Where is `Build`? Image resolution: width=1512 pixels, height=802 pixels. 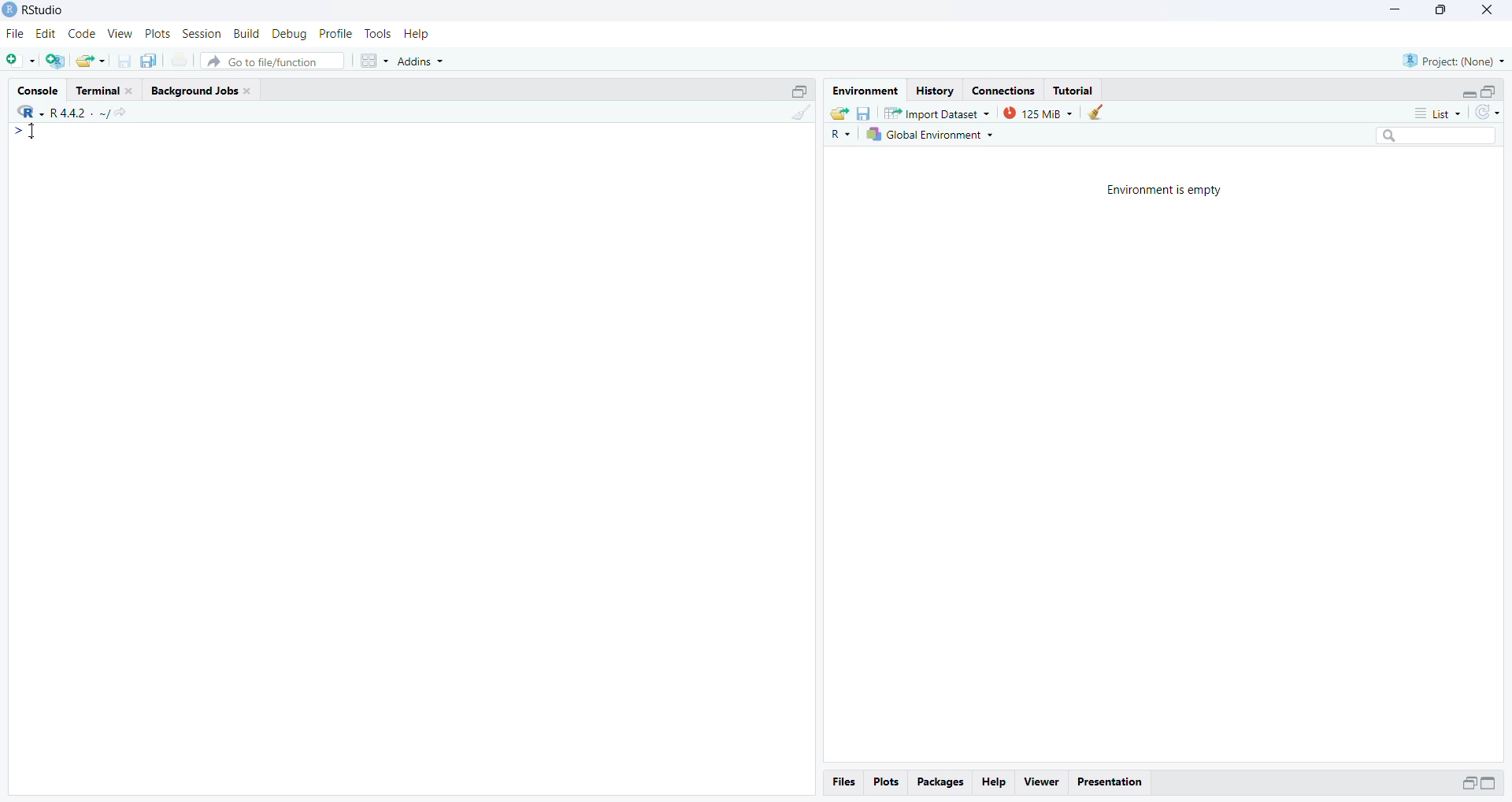
Build is located at coordinates (246, 33).